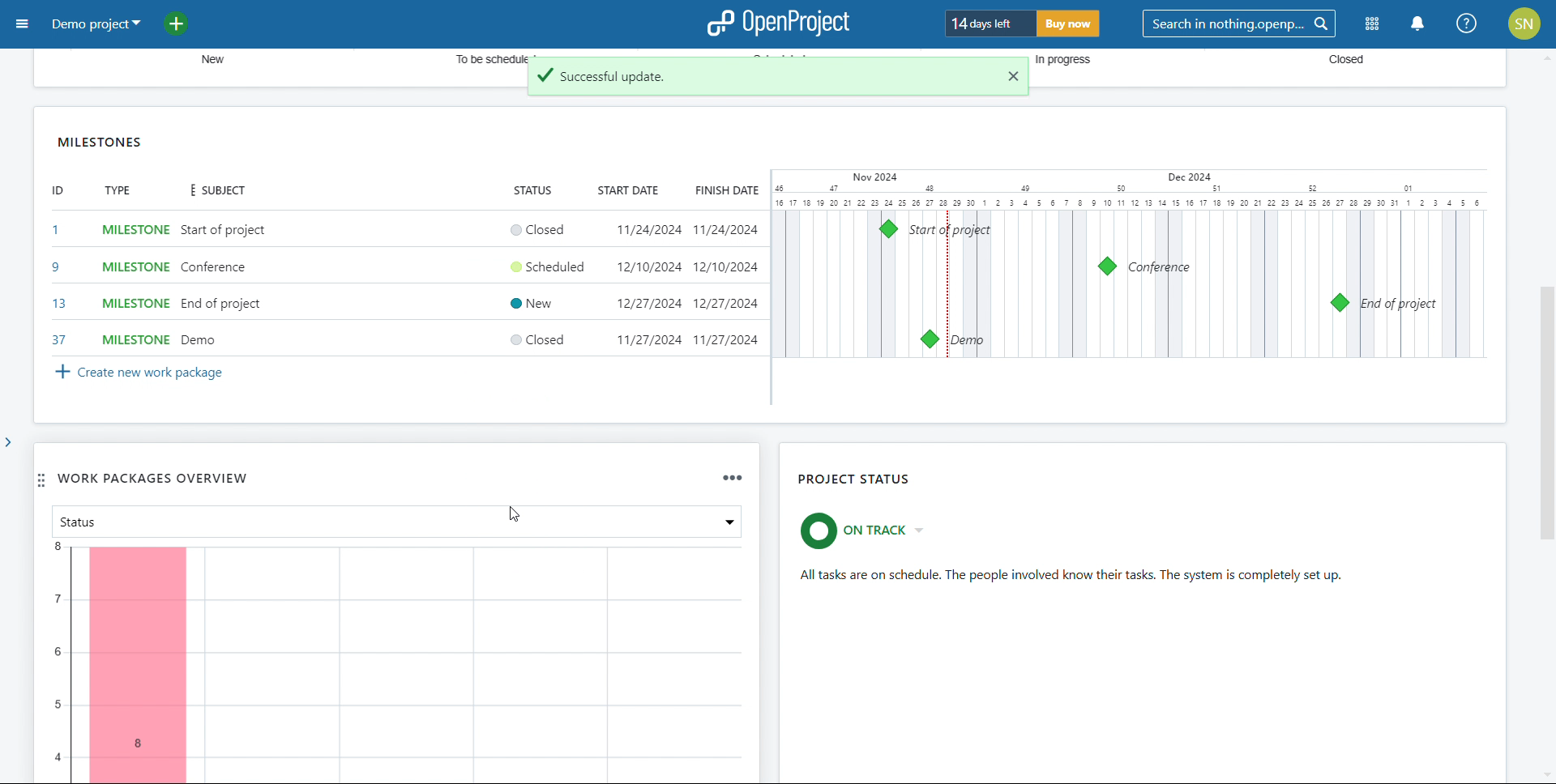 The image size is (1556, 784). Describe the element at coordinates (1468, 24) in the screenshot. I see `help` at that location.